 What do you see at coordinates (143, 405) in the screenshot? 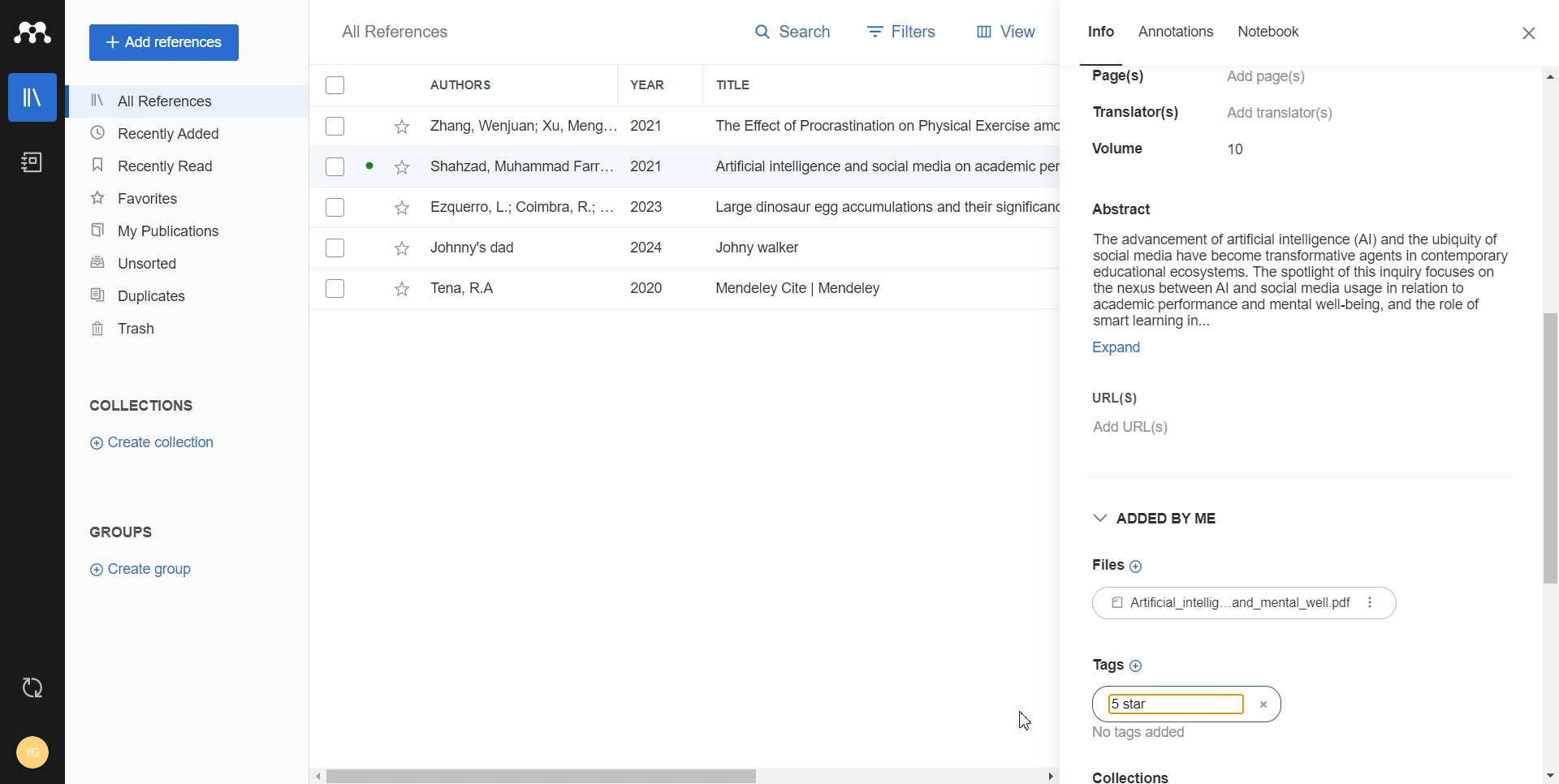
I see `Collections` at bounding box center [143, 405].